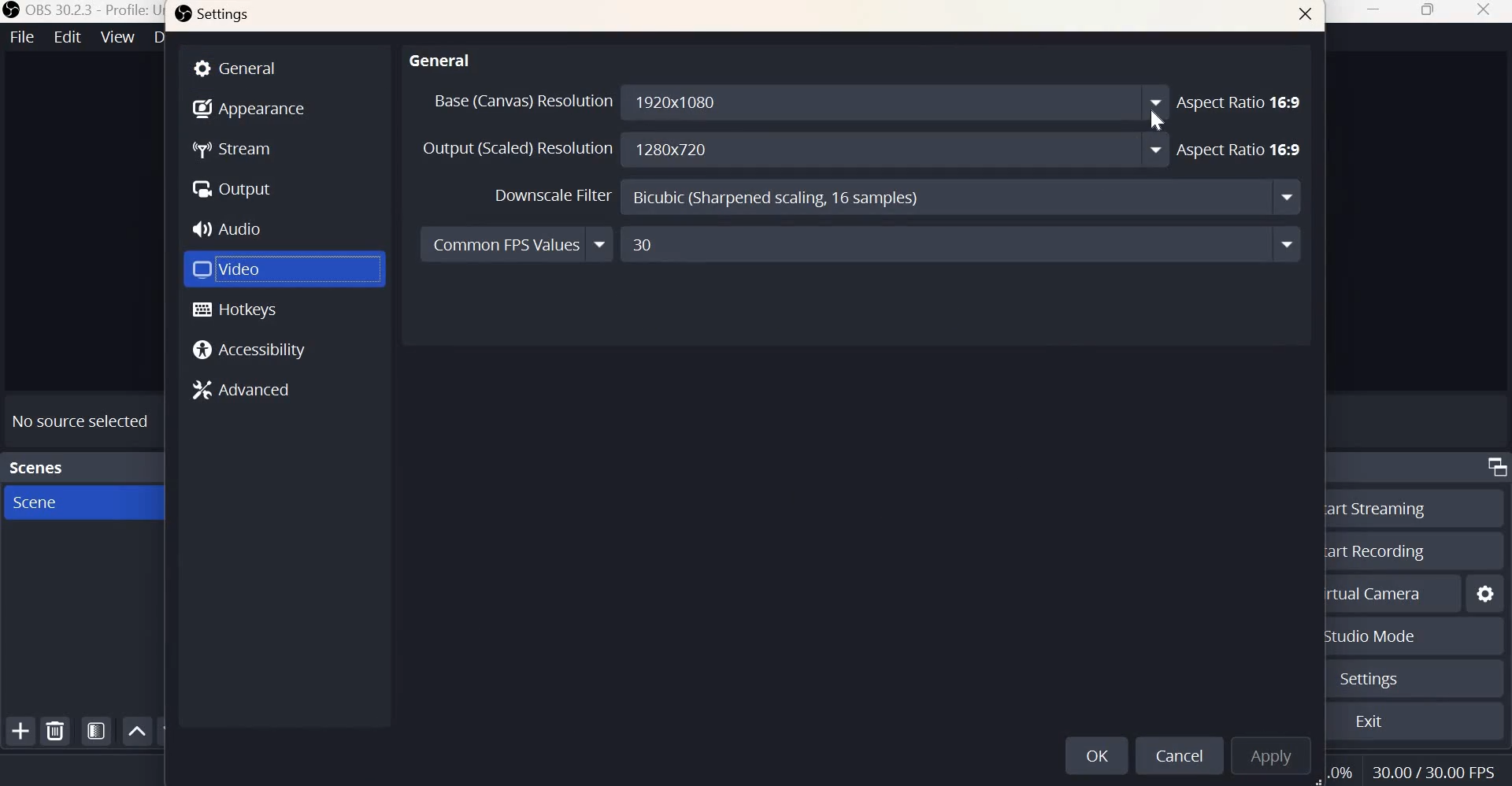  Describe the element at coordinates (285, 67) in the screenshot. I see `General` at that location.